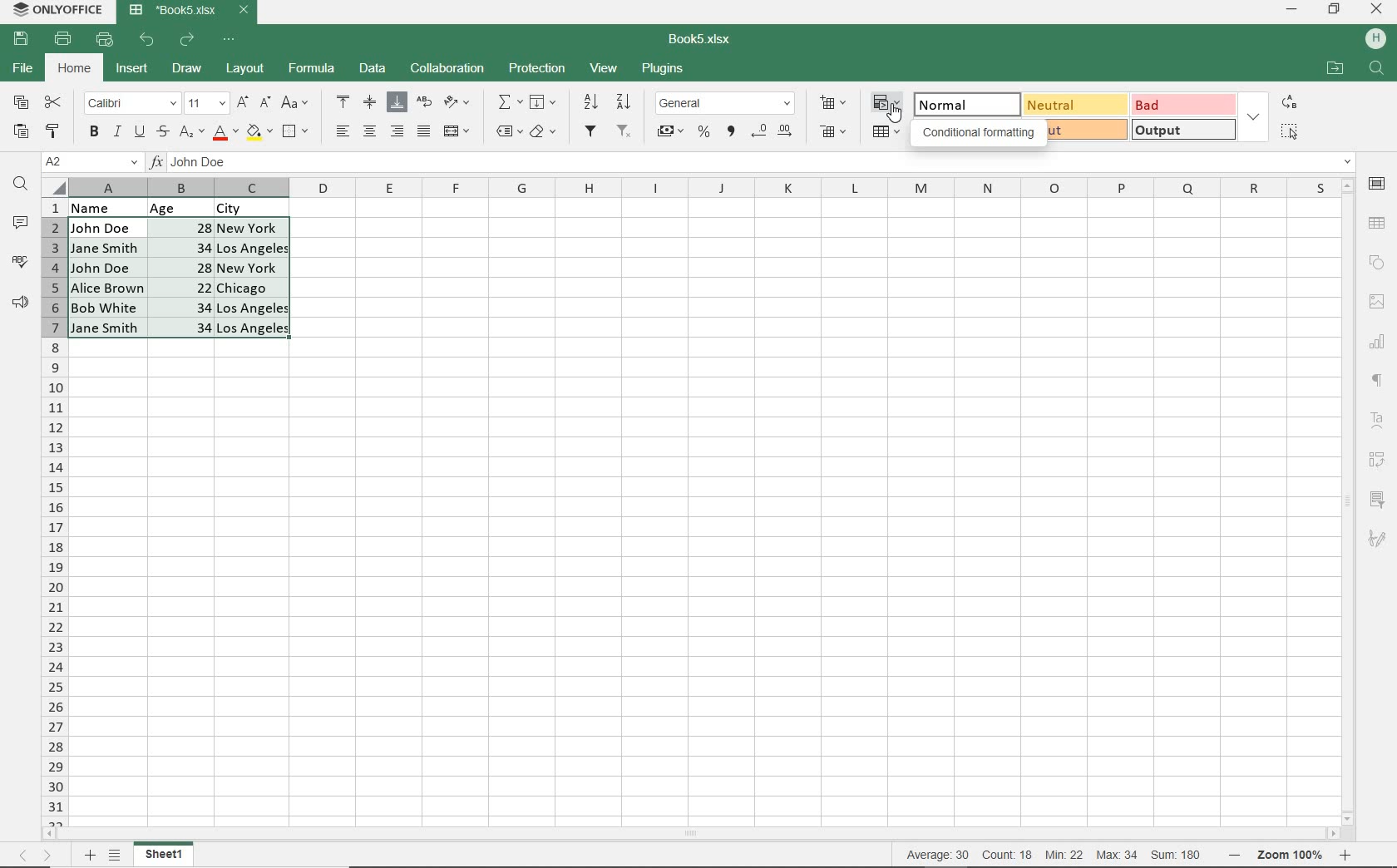  What do you see at coordinates (21, 132) in the screenshot?
I see `PASTE` at bounding box center [21, 132].